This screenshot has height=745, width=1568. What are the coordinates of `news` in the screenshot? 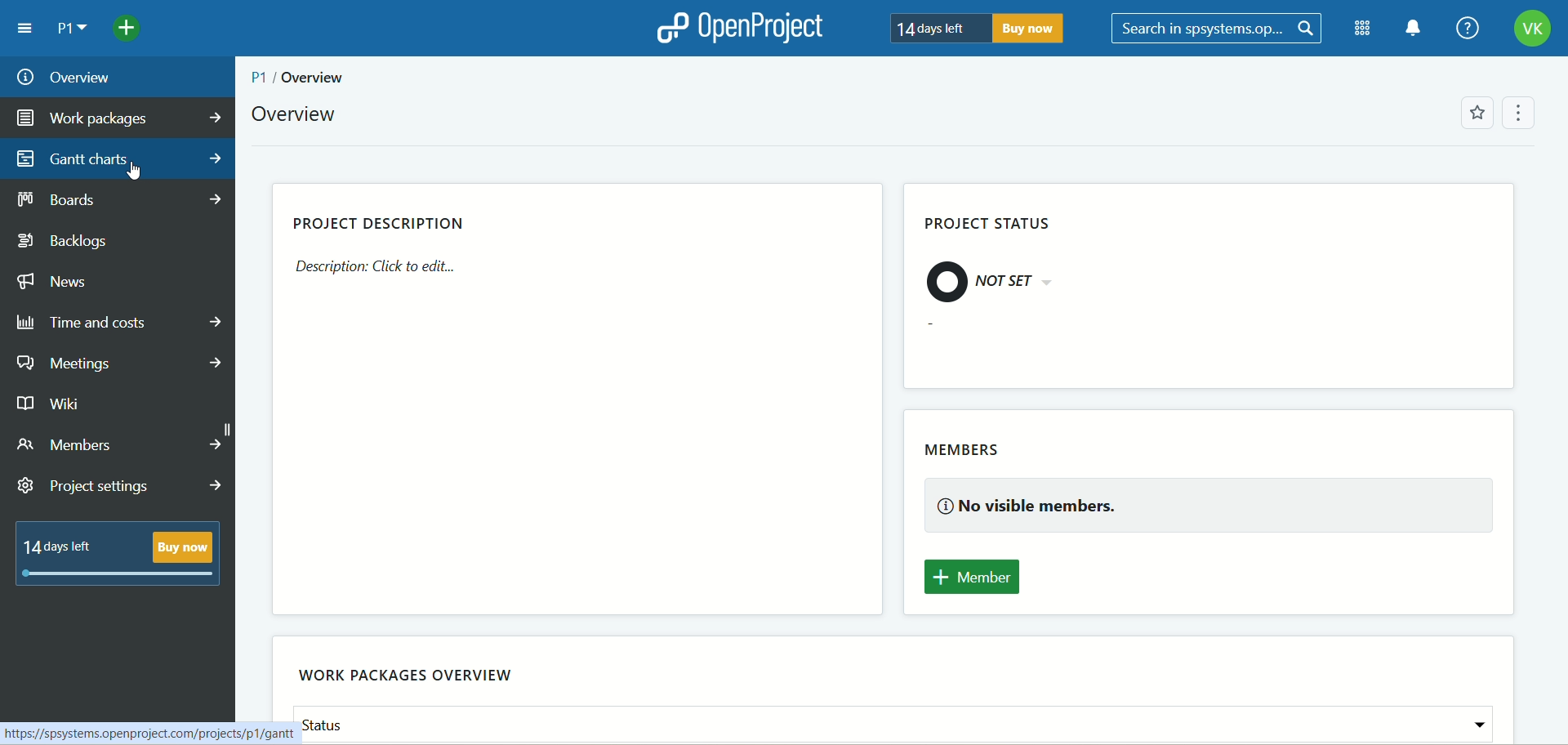 It's located at (57, 282).